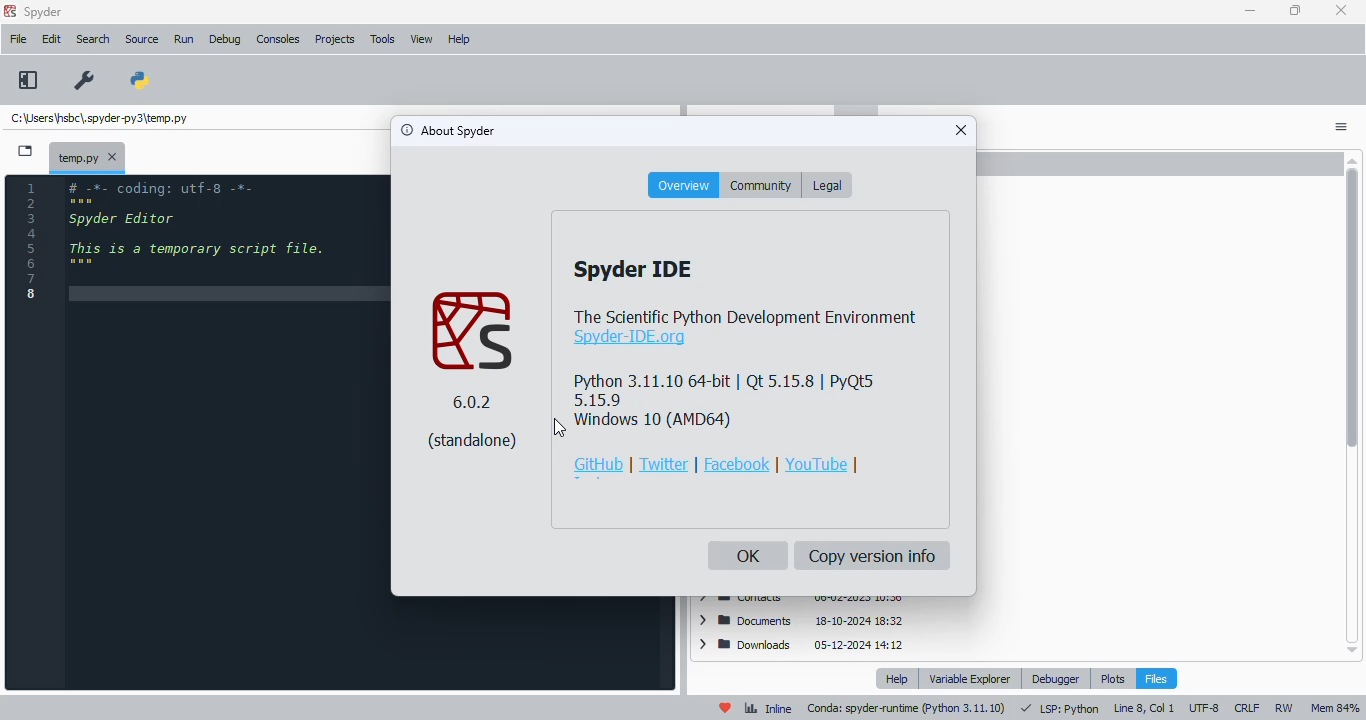  I want to click on GitHub, so click(600, 465).